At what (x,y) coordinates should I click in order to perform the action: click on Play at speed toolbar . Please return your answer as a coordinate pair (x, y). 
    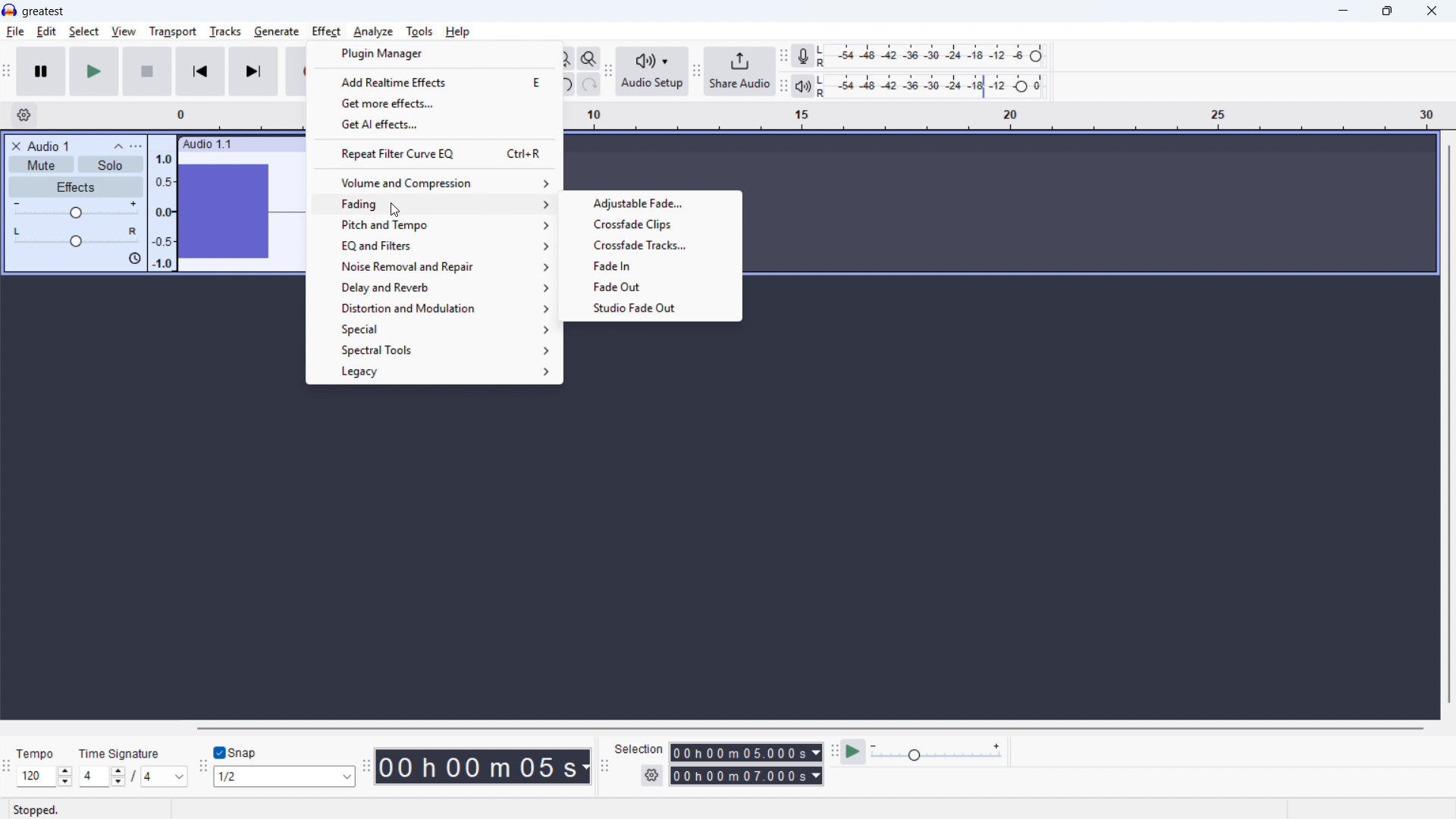
    Looking at the image, I should click on (834, 754).